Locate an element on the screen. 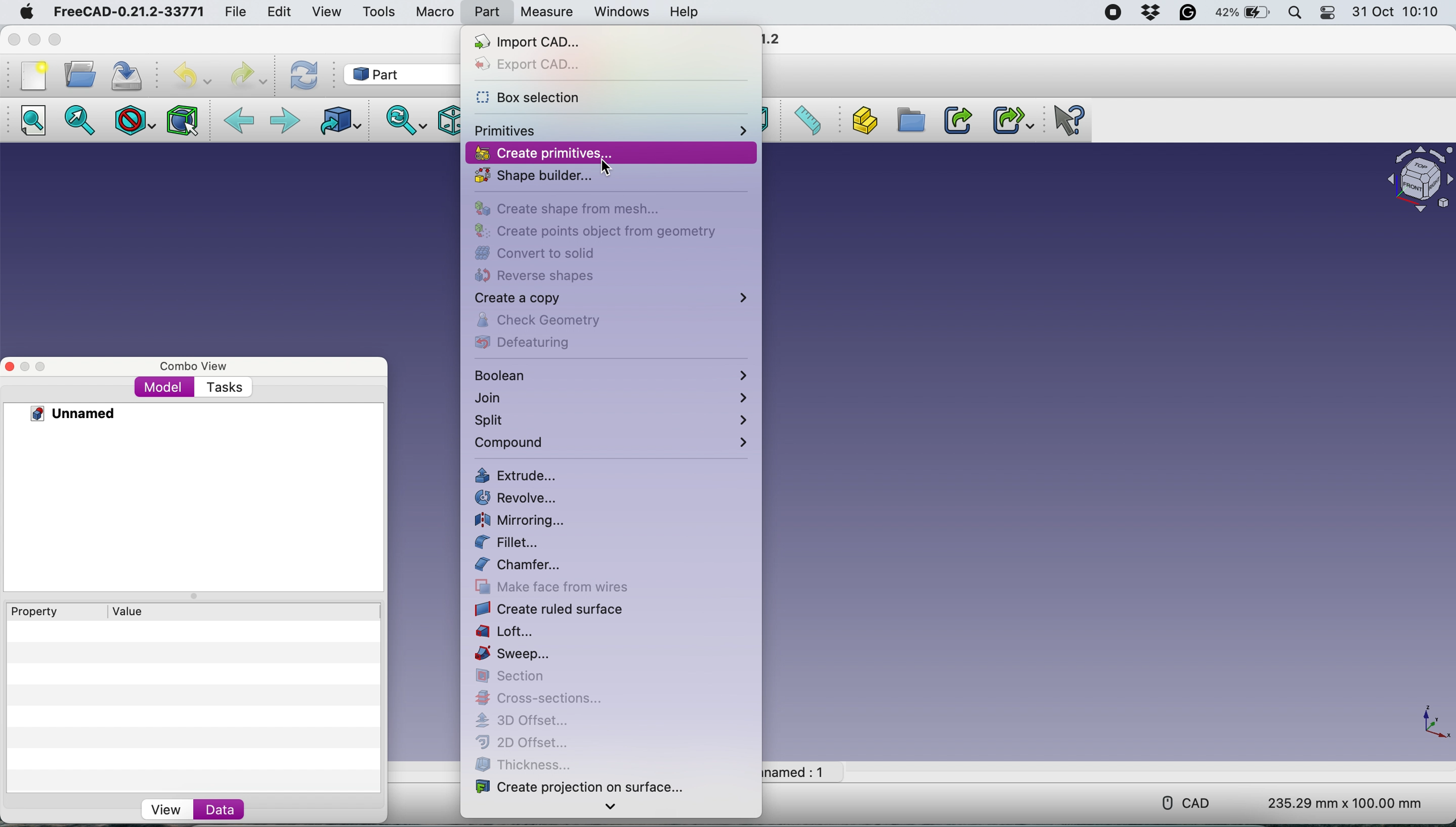 The height and width of the screenshot is (827, 1456). Windows is located at coordinates (621, 13).